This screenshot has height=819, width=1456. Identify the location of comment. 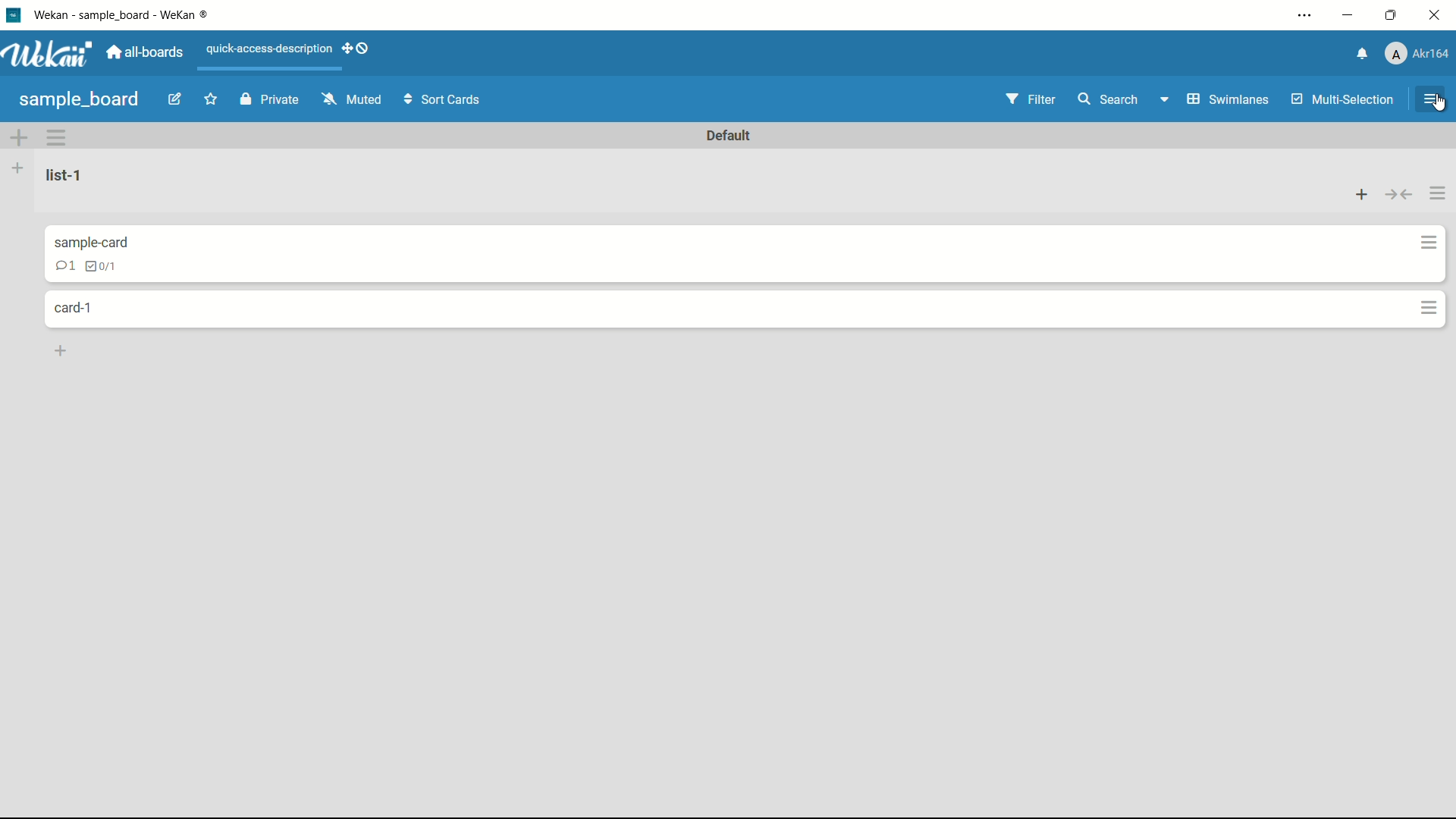
(66, 266).